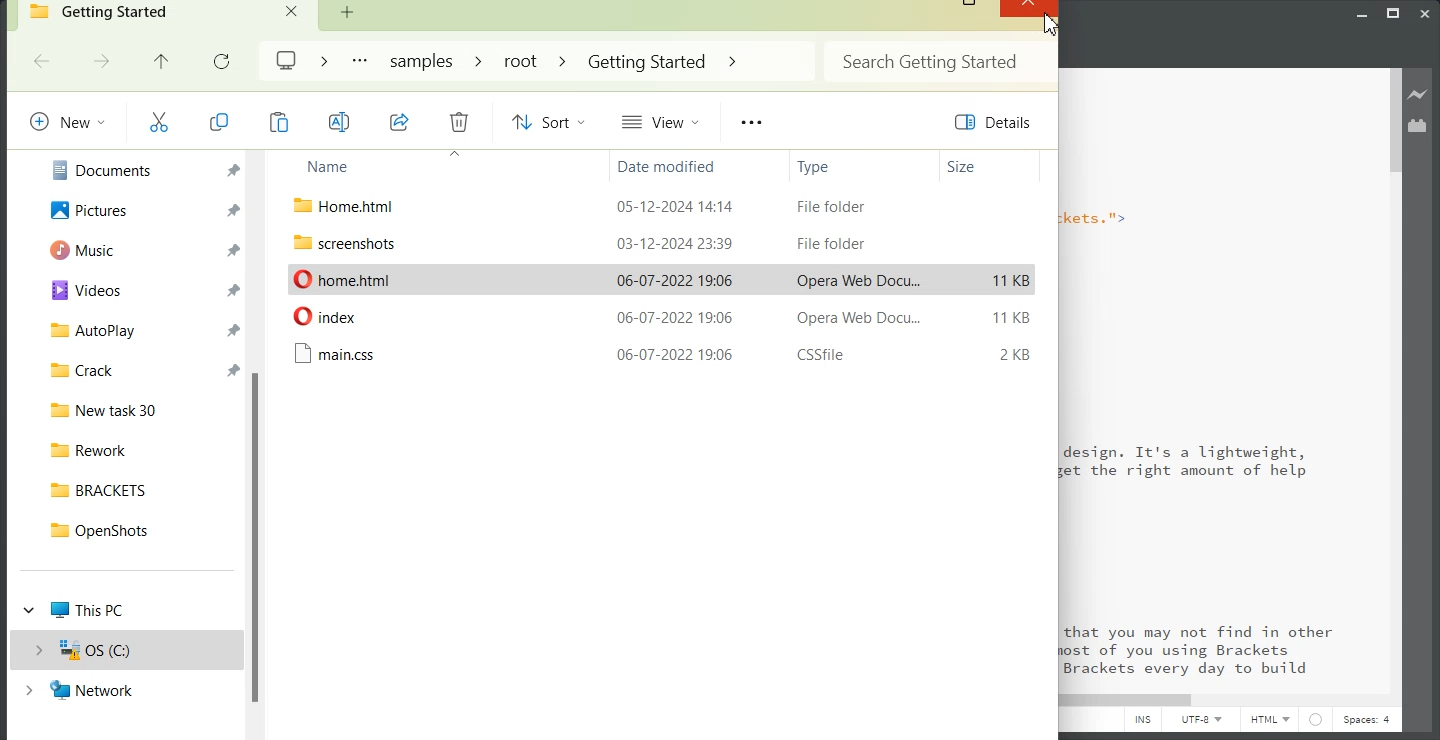  What do you see at coordinates (1014, 356) in the screenshot?
I see `2KB` at bounding box center [1014, 356].